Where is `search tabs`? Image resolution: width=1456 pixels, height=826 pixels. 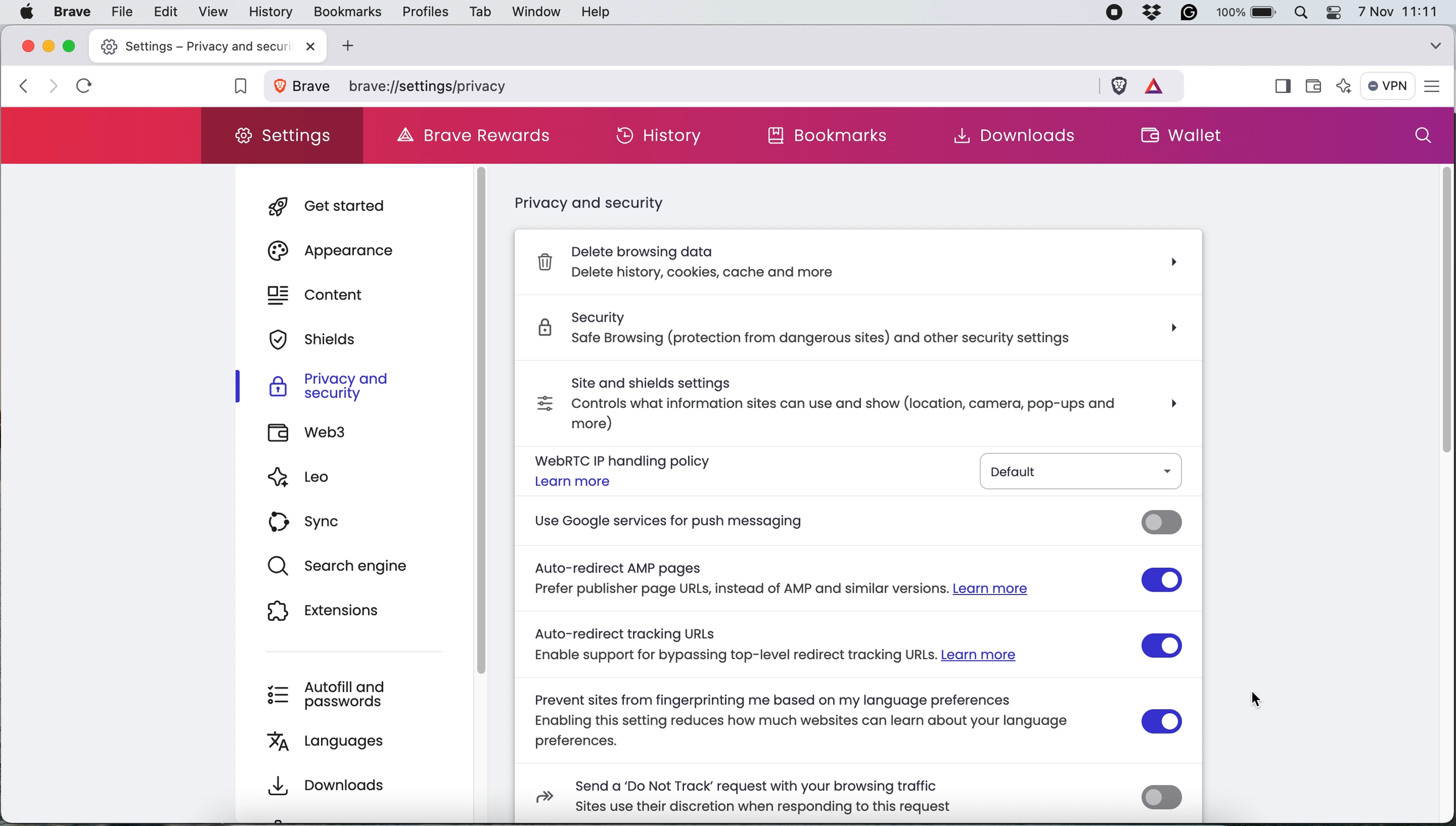 search tabs is located at coordinates (1436, 43).